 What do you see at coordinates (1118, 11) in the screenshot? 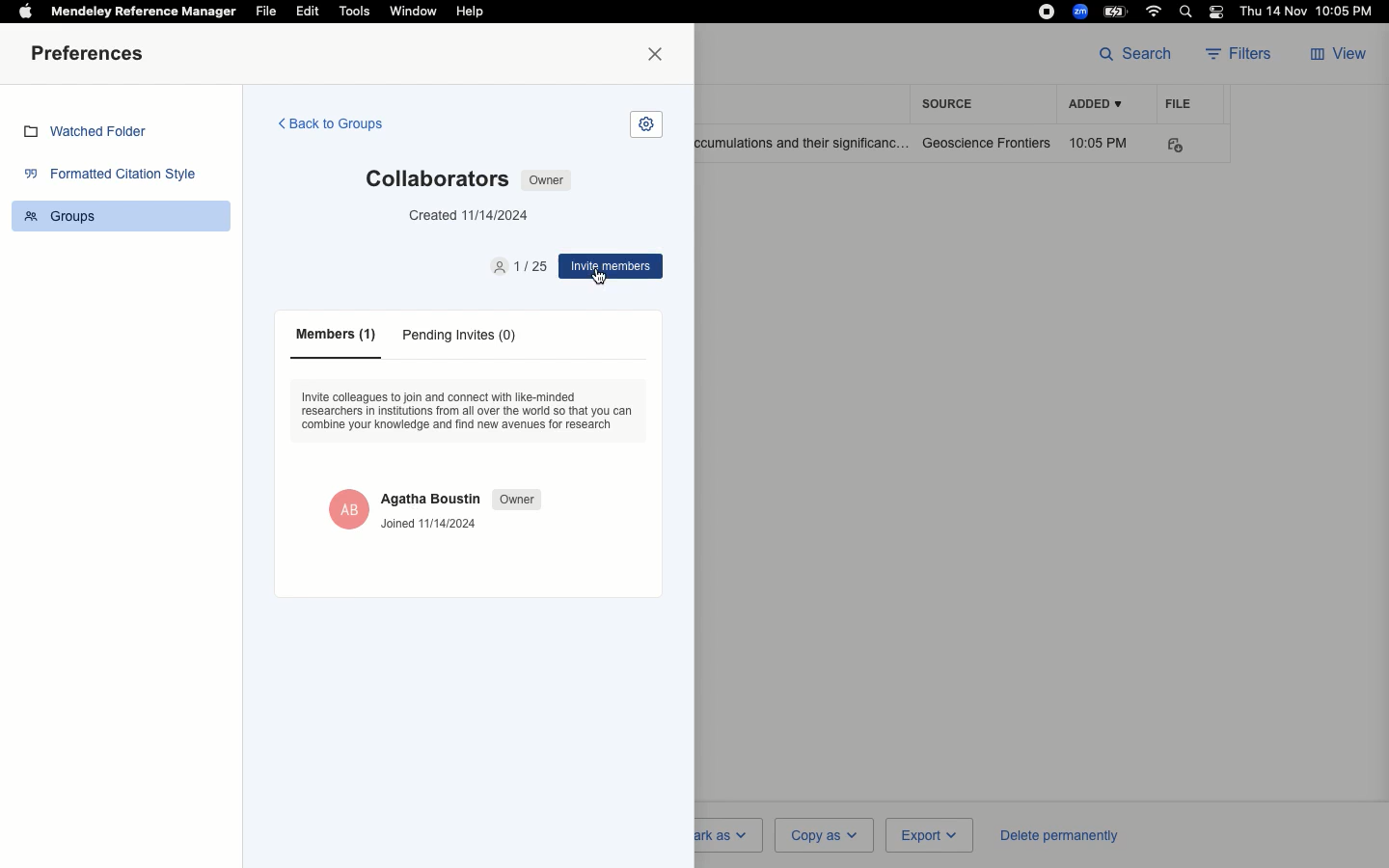
I see `Charge` at bounding box center [1118, 11].